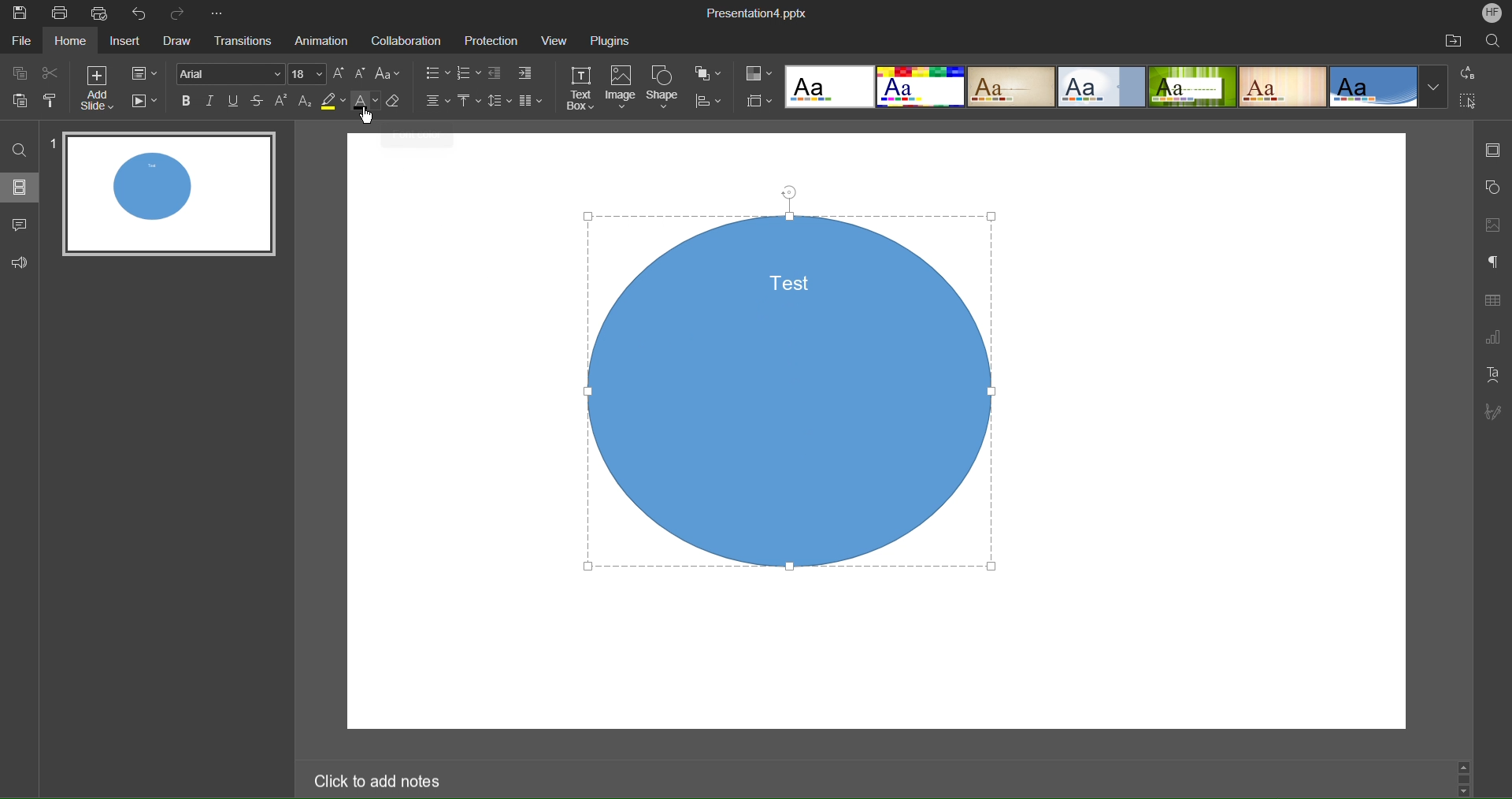 The width and height of the screenshot is (1512, 799). I want to click on Home, so click(69, 43).